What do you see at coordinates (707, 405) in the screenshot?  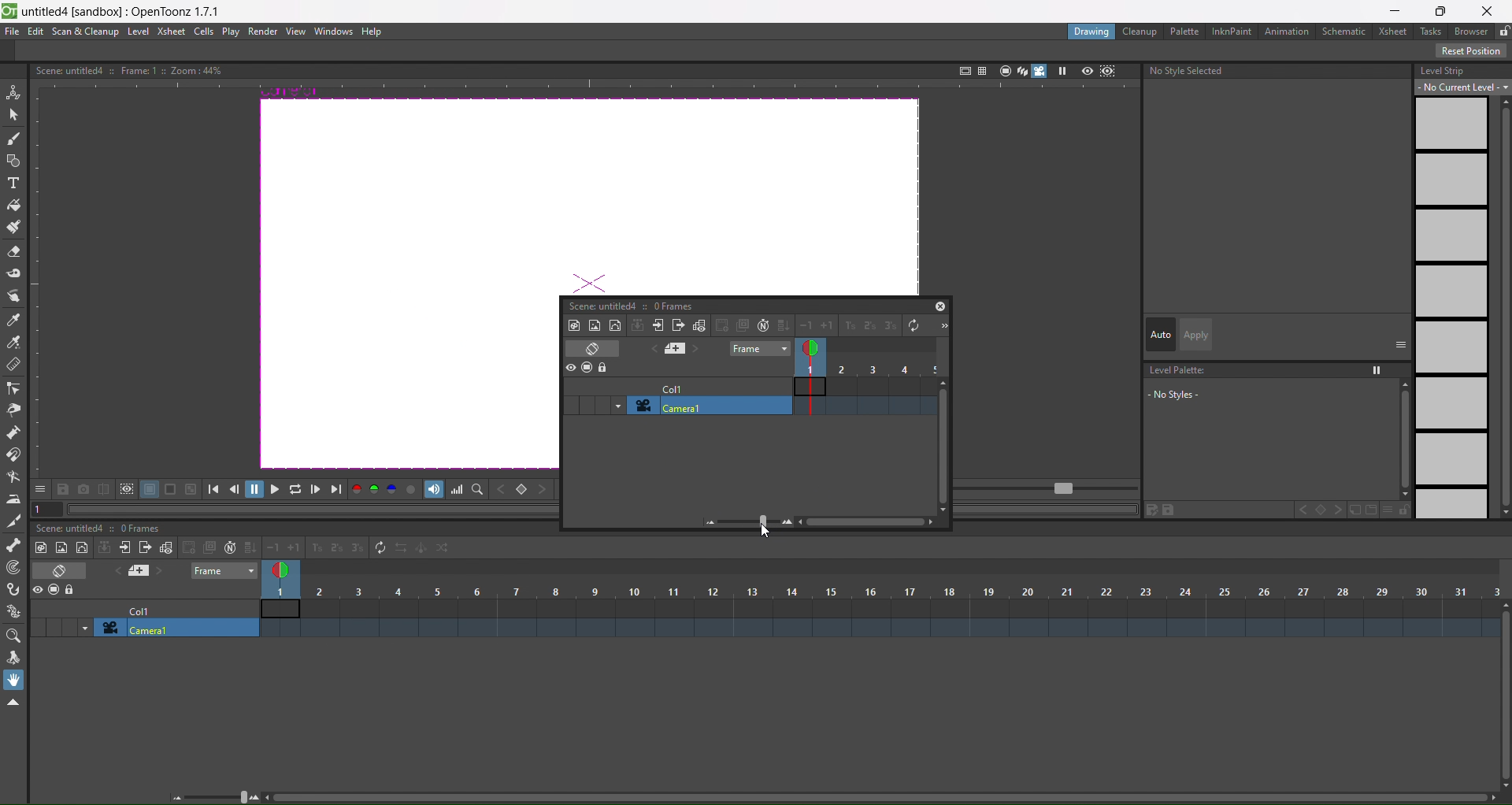 I see `camera1` at bounding box center [707, 405].